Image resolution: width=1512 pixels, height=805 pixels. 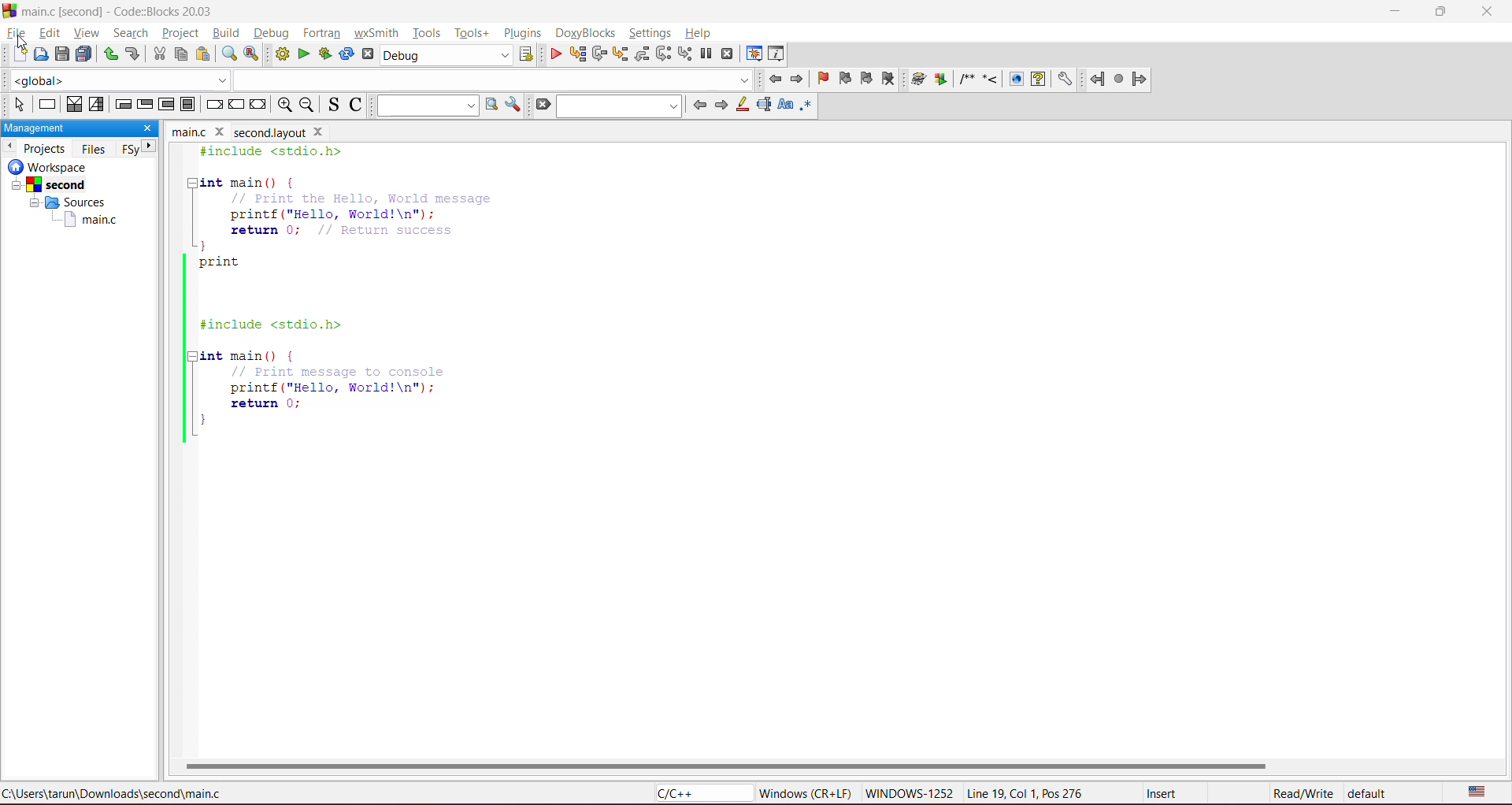 What do you see at coordinates (306, 55) in the screenshot?
I see `run` at bounding box center [306, 55].